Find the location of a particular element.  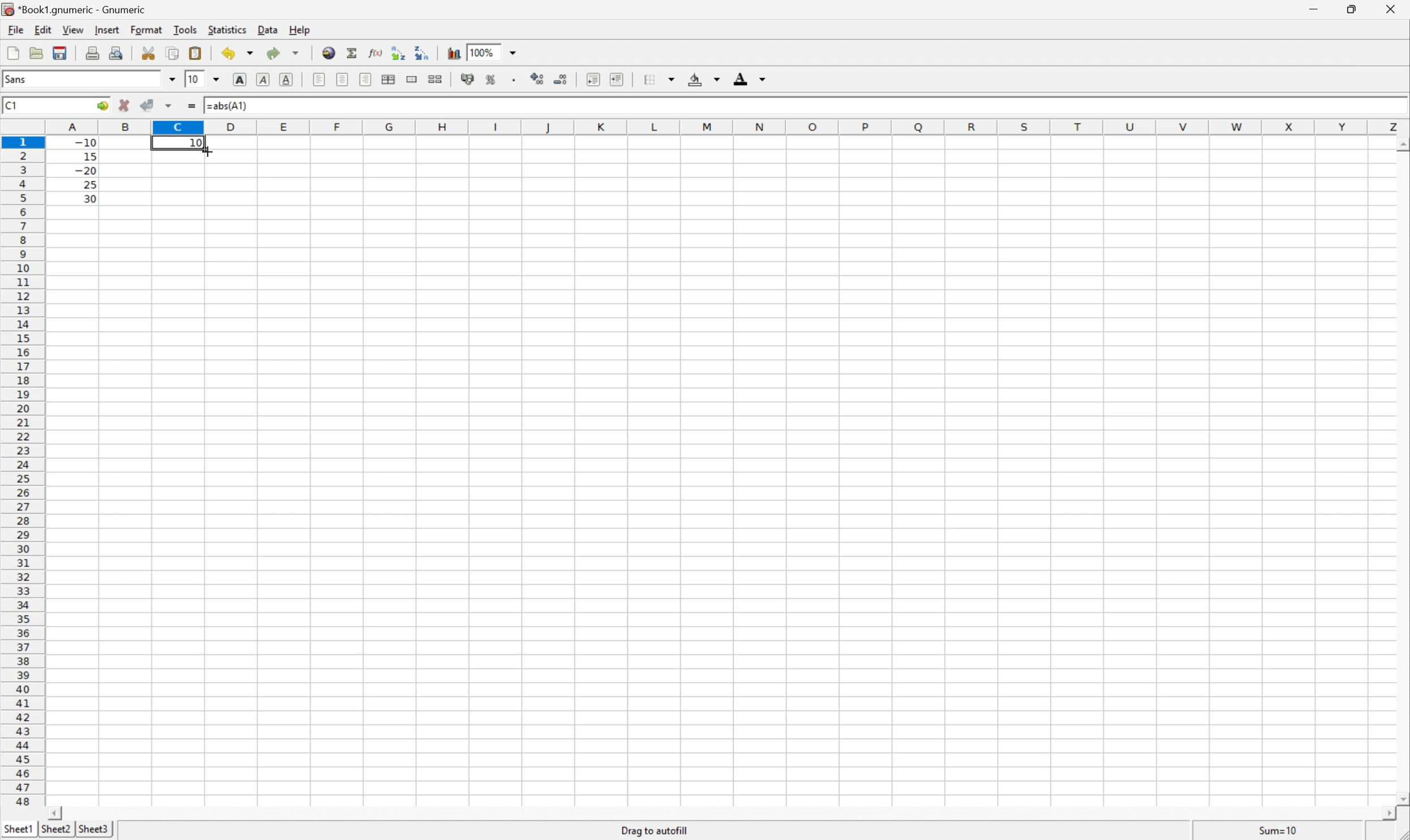

Decrease the number of decimals displayed is located at coordinates (561, 79).